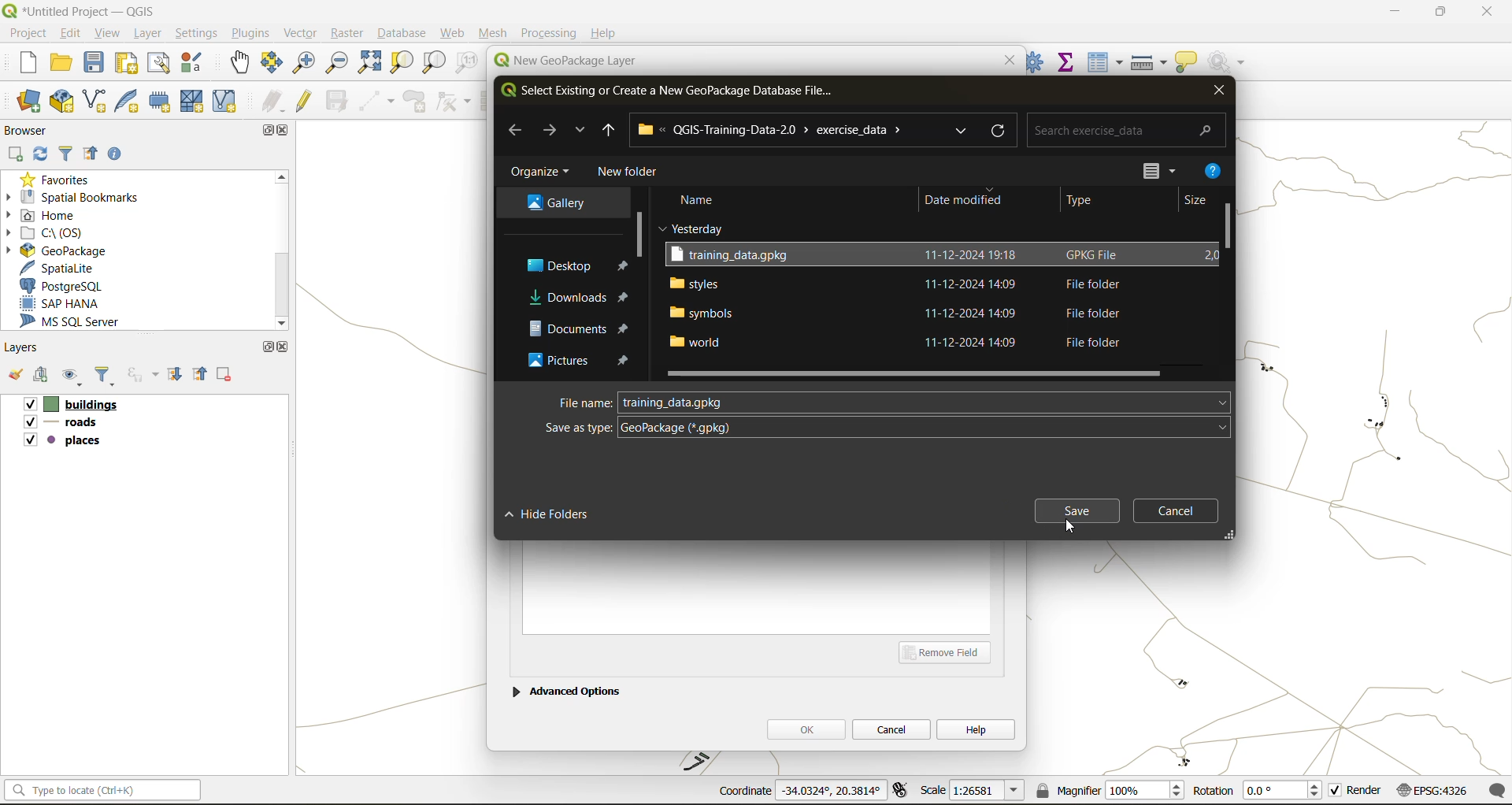 The height and width of the screenshot is (805, 1512). Describe the element at coordinates (670, 93) in the screenshot. I see `select existing or create a new geopackage database file` at that location.